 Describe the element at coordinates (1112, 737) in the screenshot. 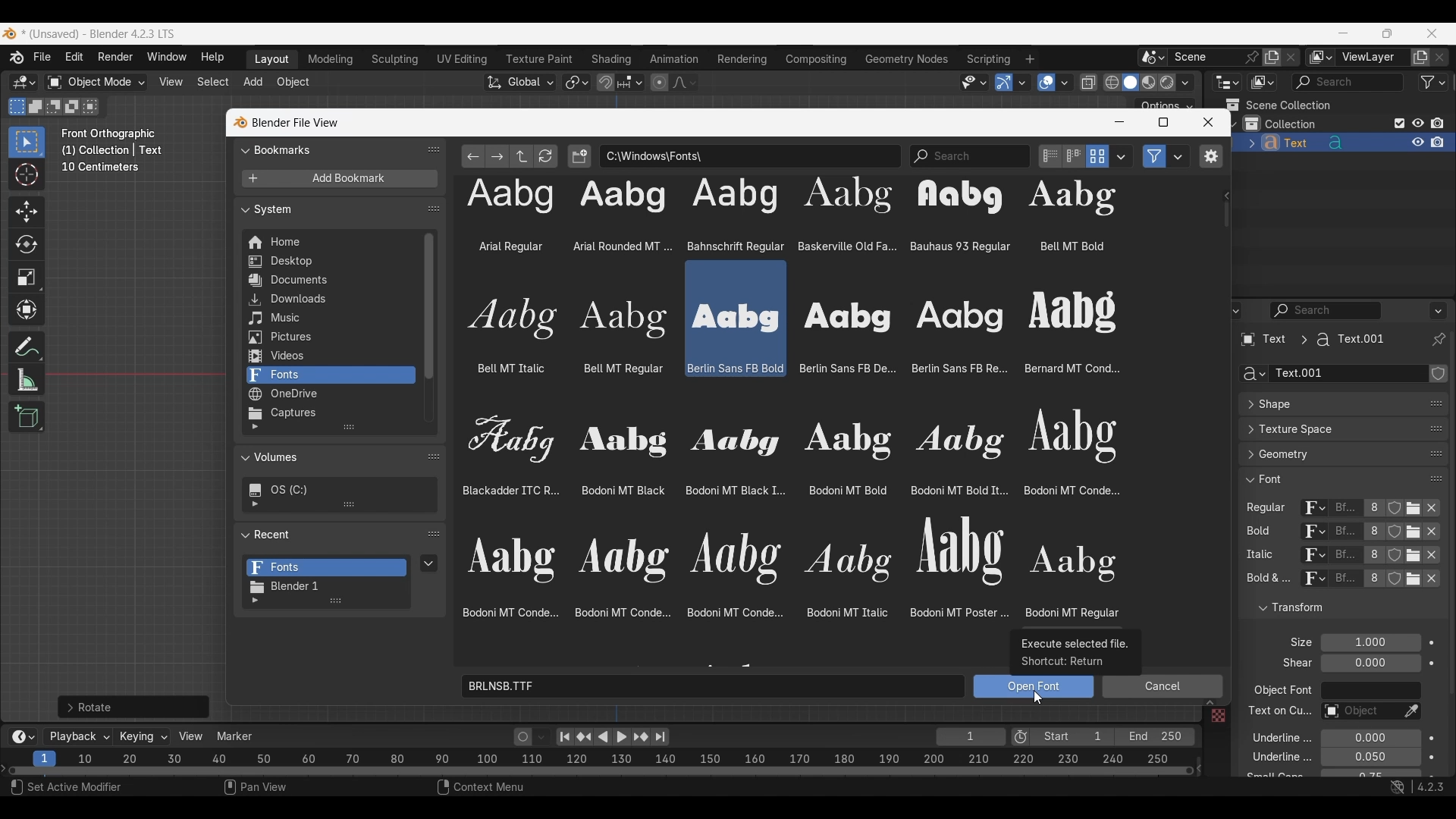

I see `Final frame of the playback rendering range` at that location.